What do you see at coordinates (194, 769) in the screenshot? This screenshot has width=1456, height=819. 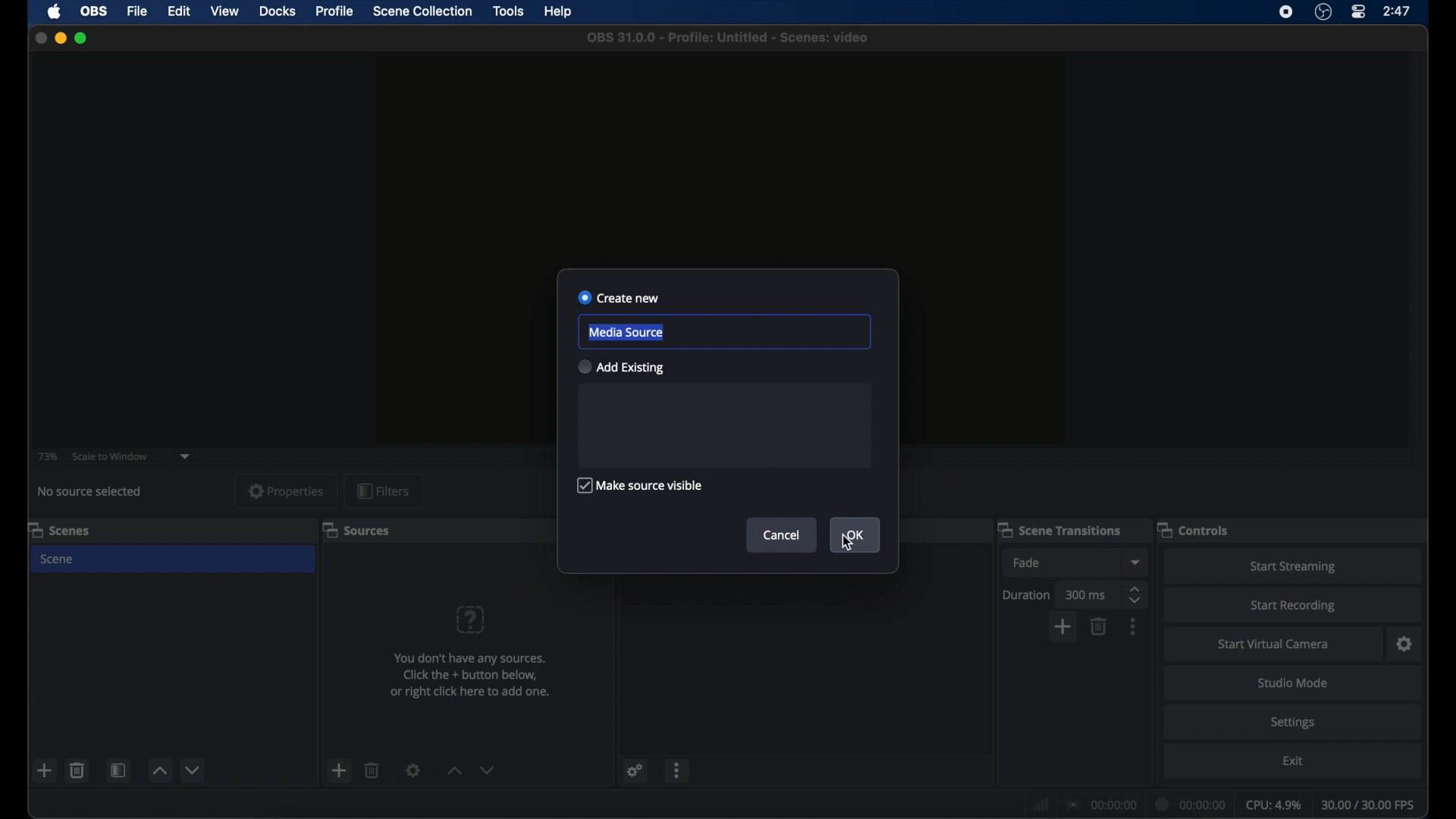 I see `decrement button` at bounding box center [194, 769].